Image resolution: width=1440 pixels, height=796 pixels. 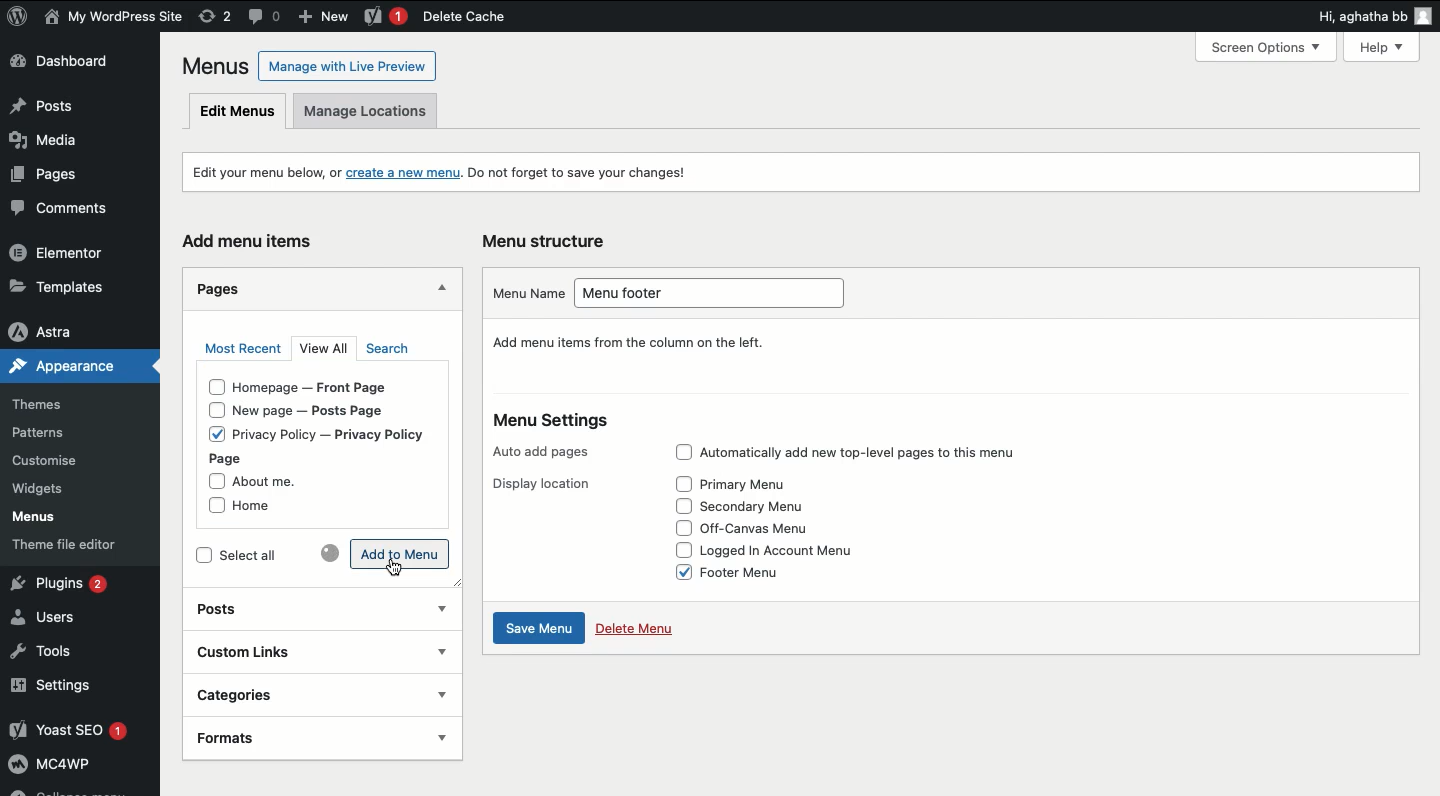 I want to click on Footer menu (selected), so click(x=766, y=574).